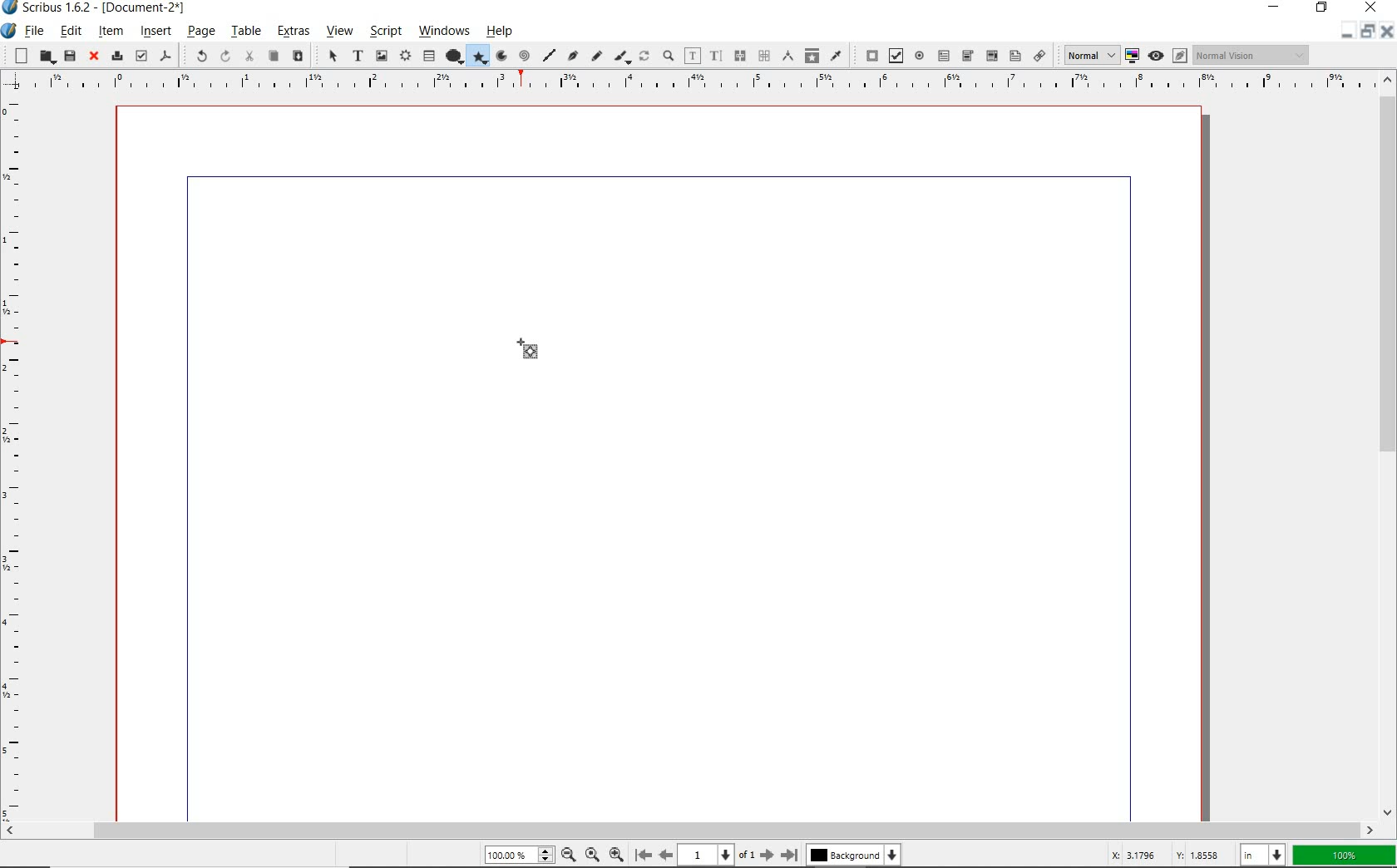  I want to click on cut, so click(251, 57).